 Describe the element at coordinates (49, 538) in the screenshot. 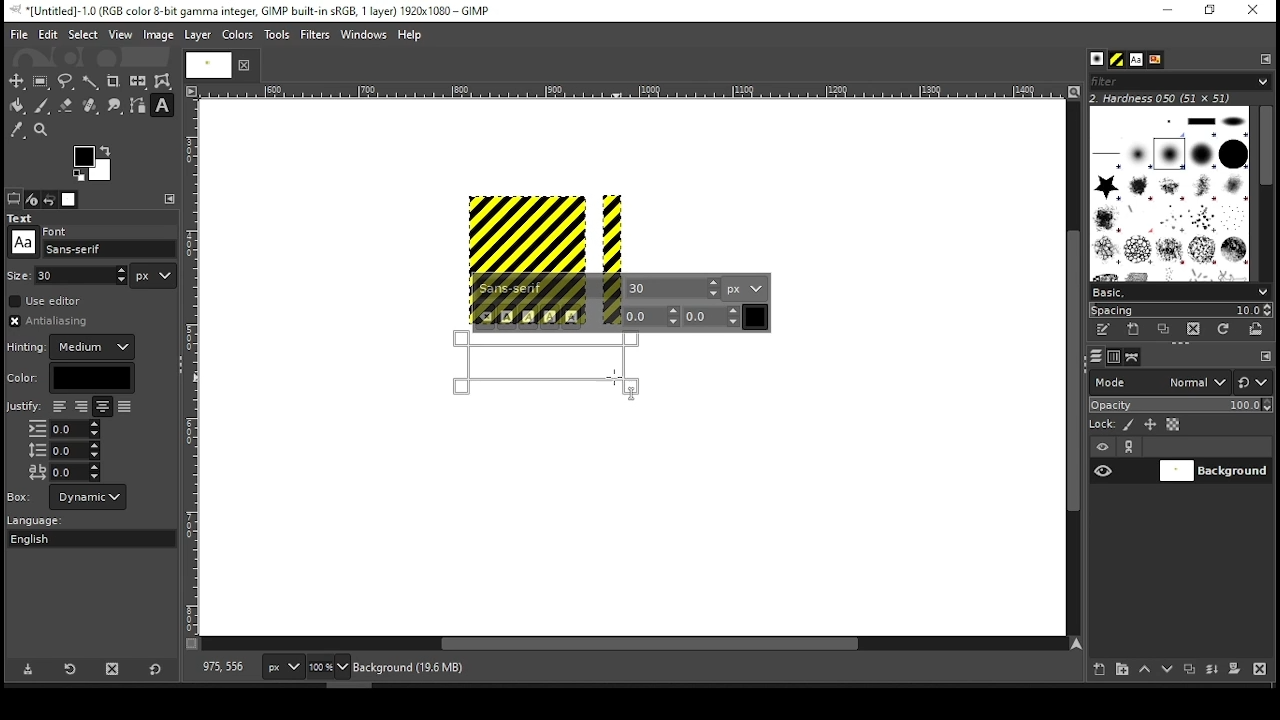

I see `english` at that location.